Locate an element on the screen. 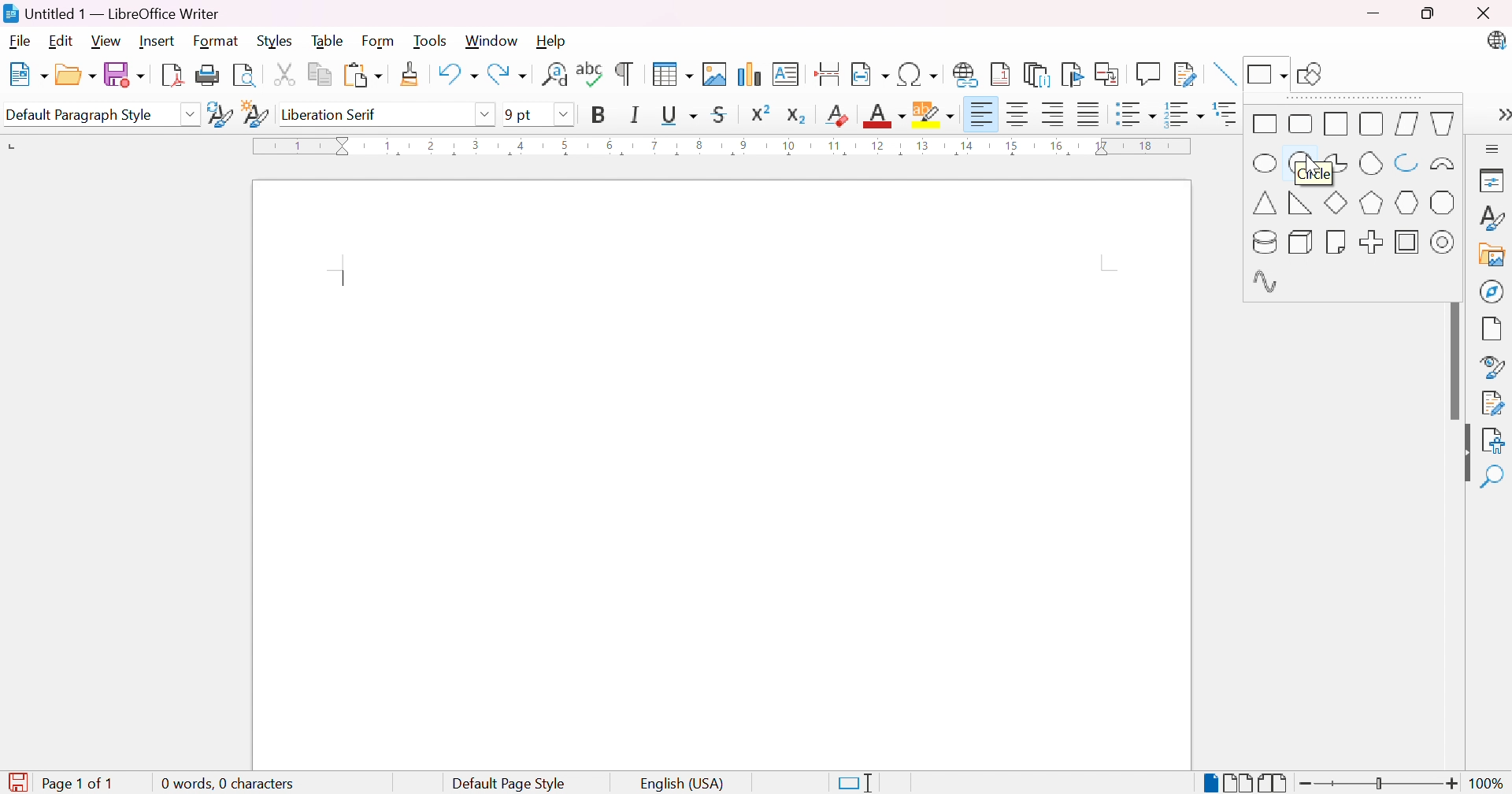 The width and height of the screenshot is (1512, 794). Slider is located at coordinates (1374, 784).